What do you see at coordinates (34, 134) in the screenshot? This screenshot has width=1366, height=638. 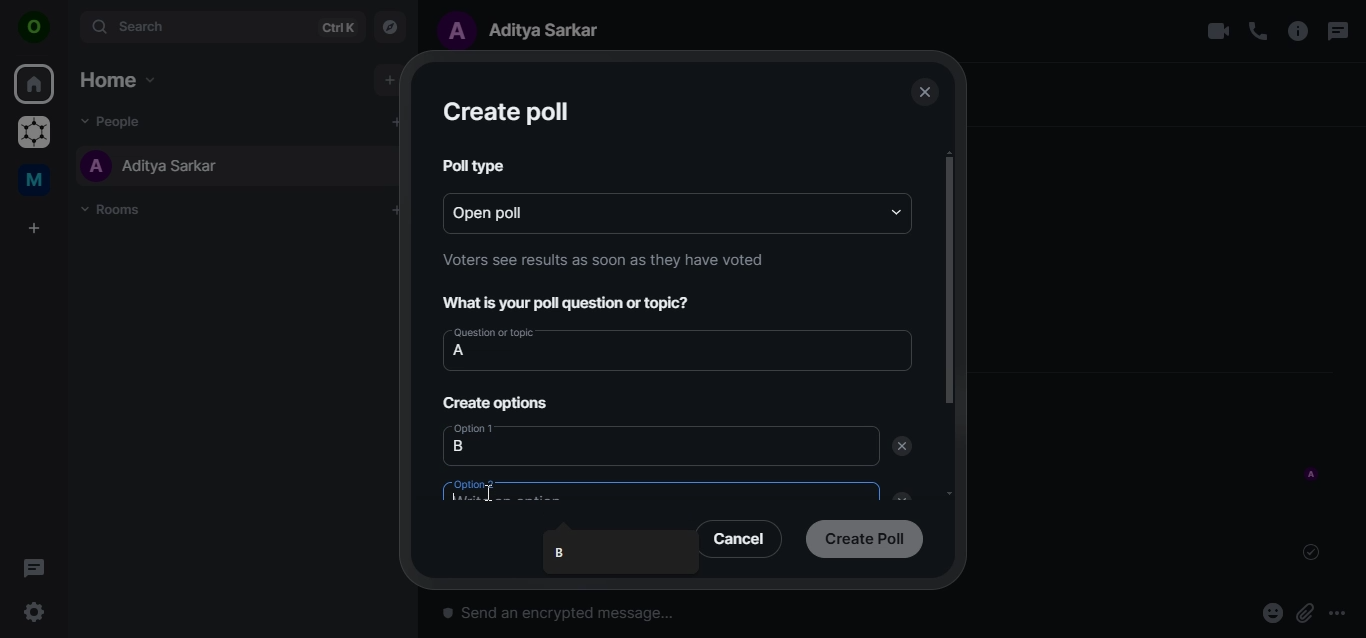 I see `graoheneos` at bounding box center [34, 134].